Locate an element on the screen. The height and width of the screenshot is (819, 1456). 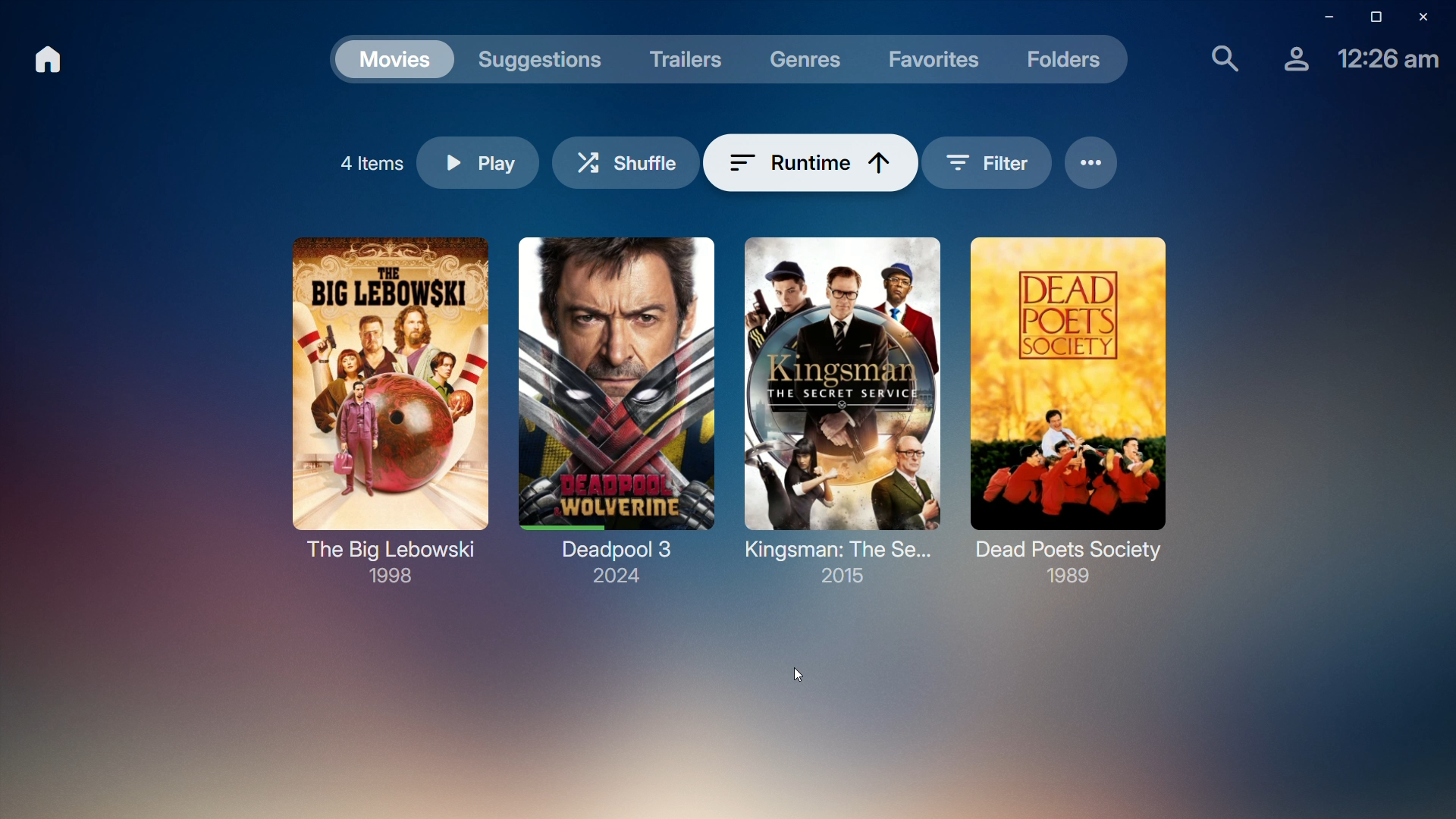
Restore is located at coordinates (1370, 17).